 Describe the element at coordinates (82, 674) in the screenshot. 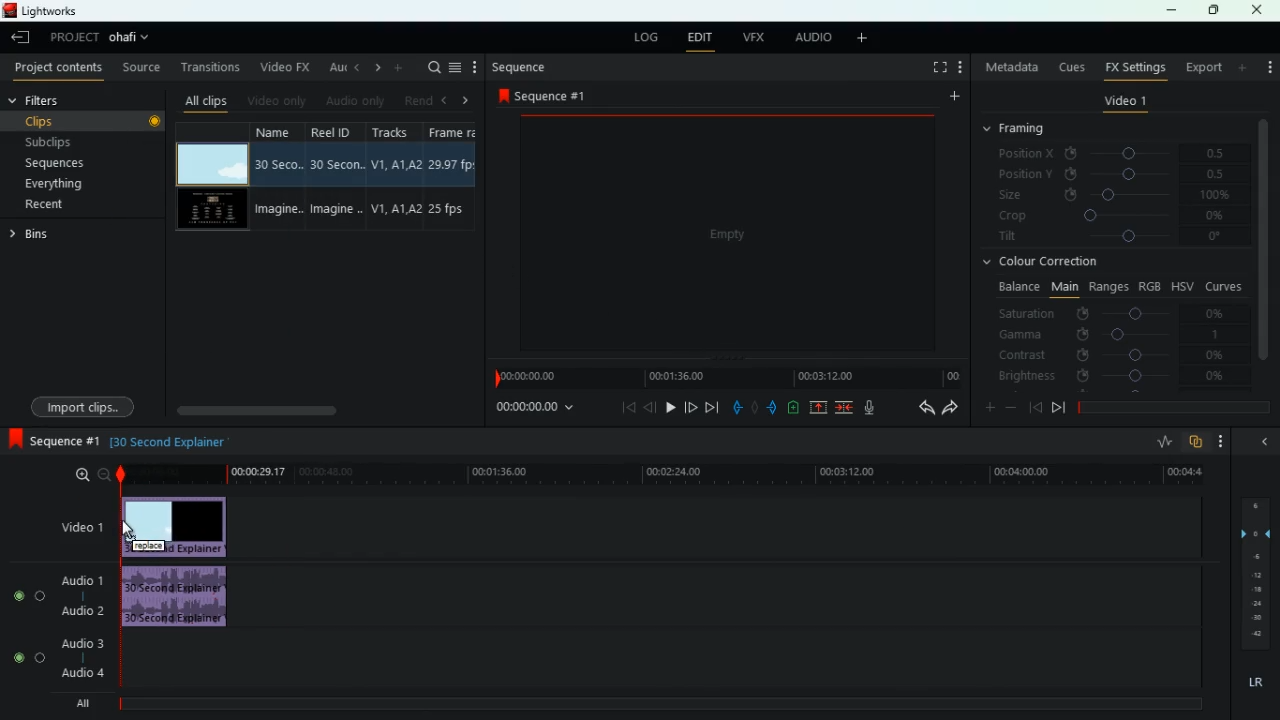

I see `audio 4` at that location.